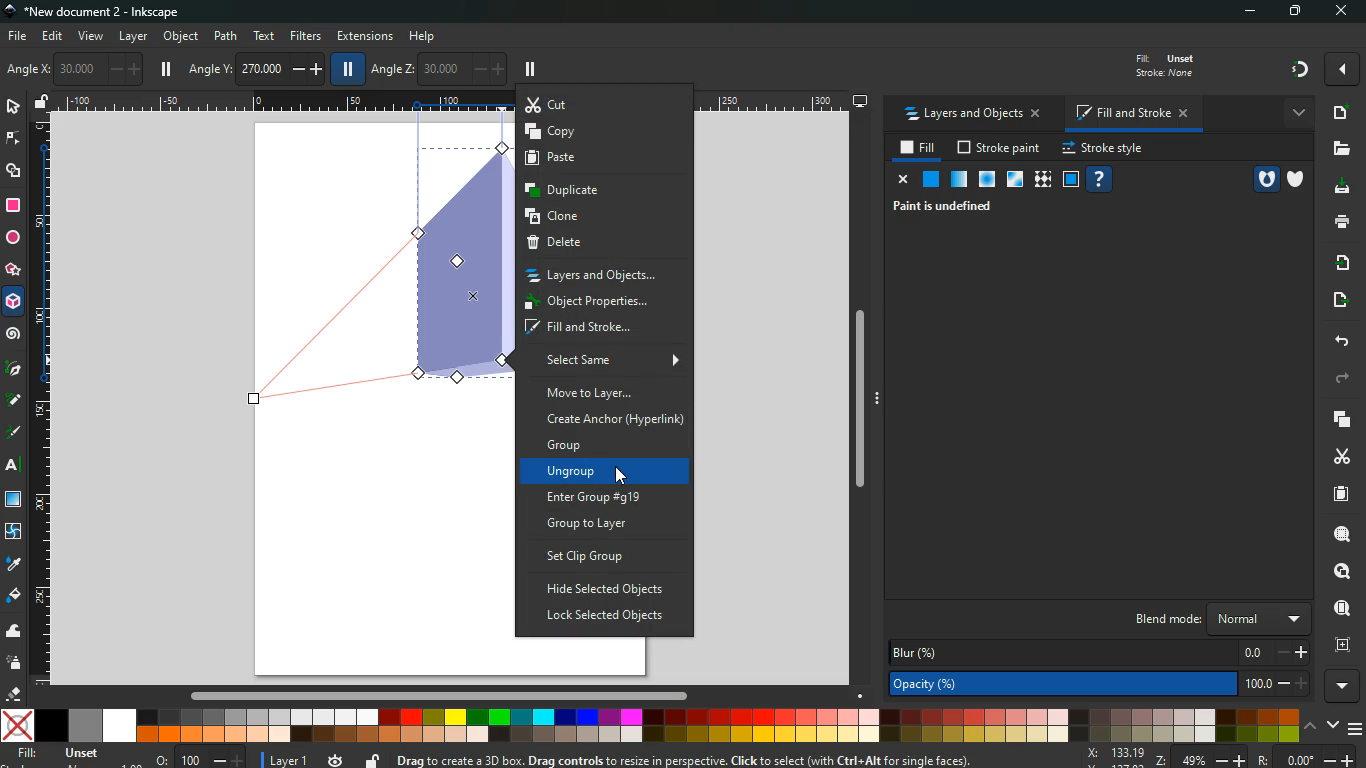 The height and width of the screenshot is (768, 1366). Describe the element at coordinates (15, 108) in the screenshot. I see `select` at that location.